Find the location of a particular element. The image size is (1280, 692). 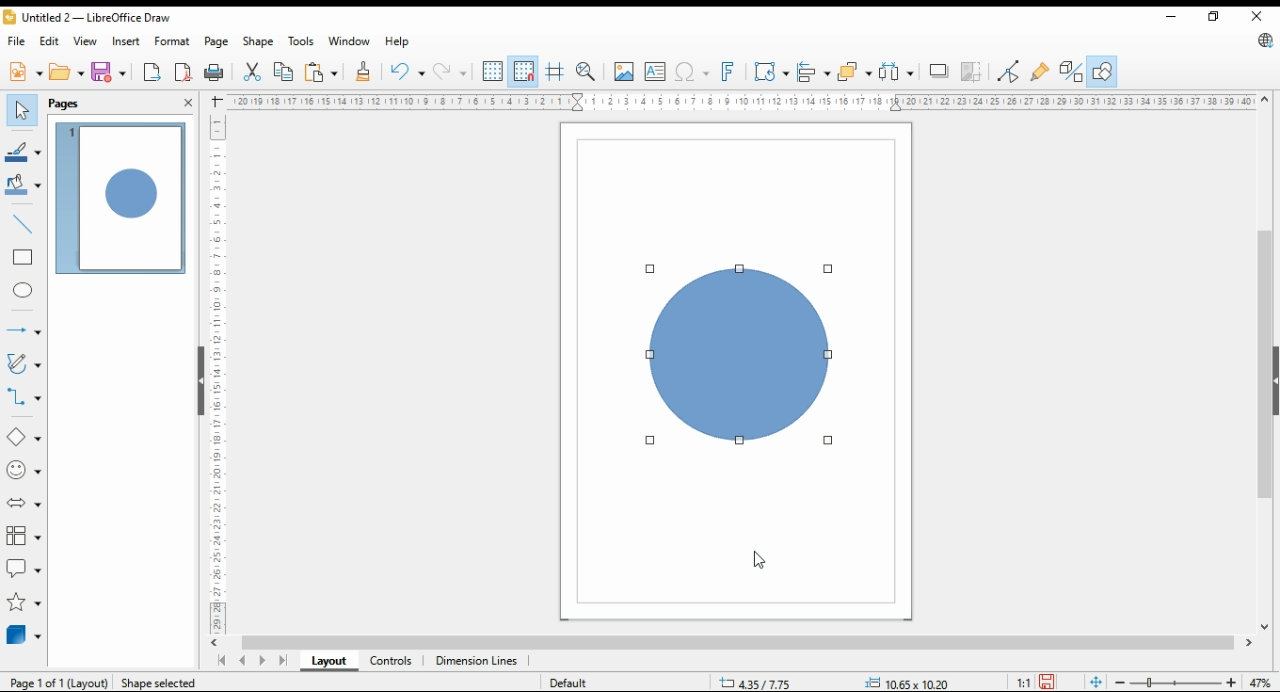

first page is located at coordinates (224, 660).